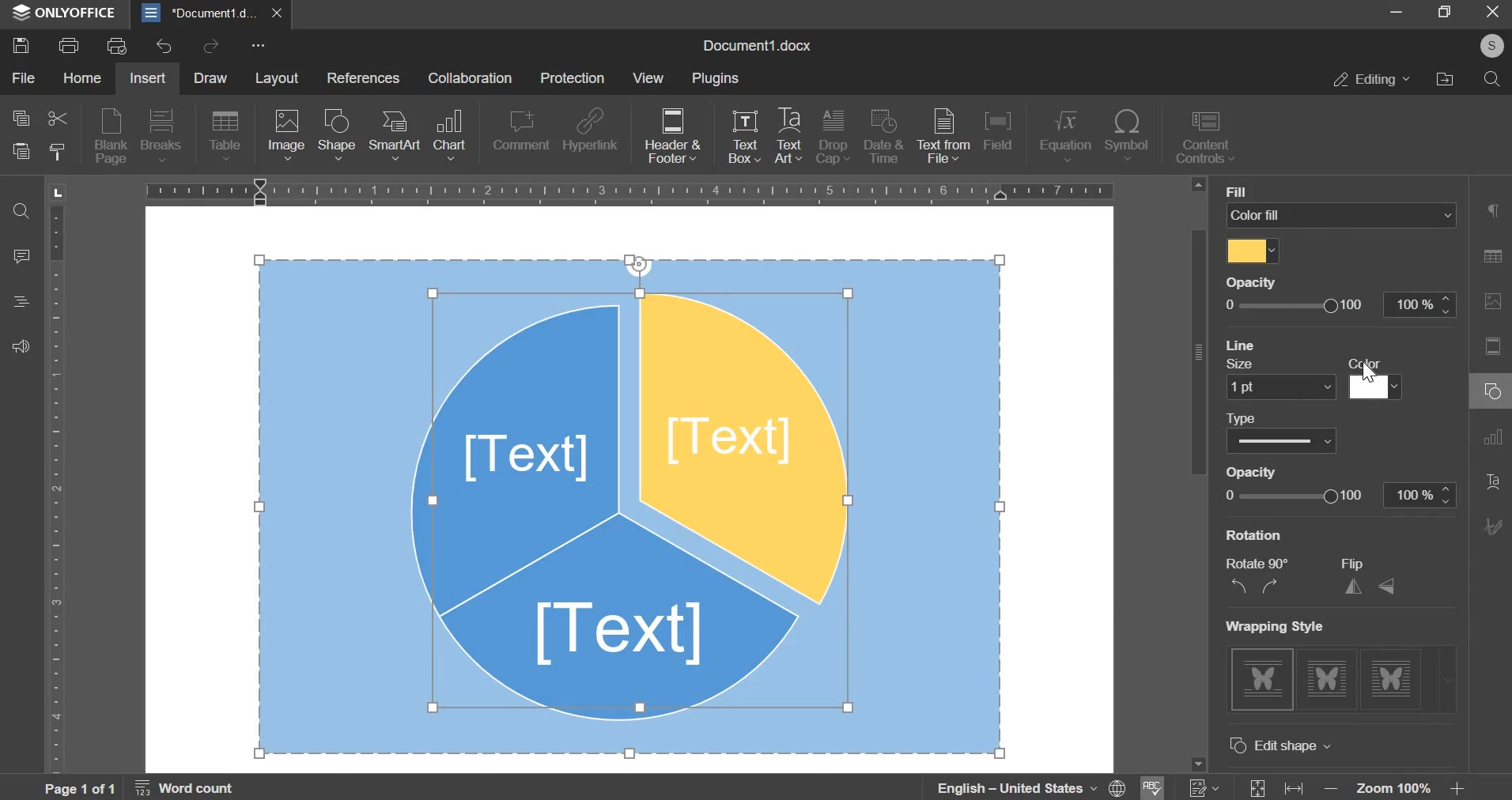  I want to click on print previw, so click(117, 46).